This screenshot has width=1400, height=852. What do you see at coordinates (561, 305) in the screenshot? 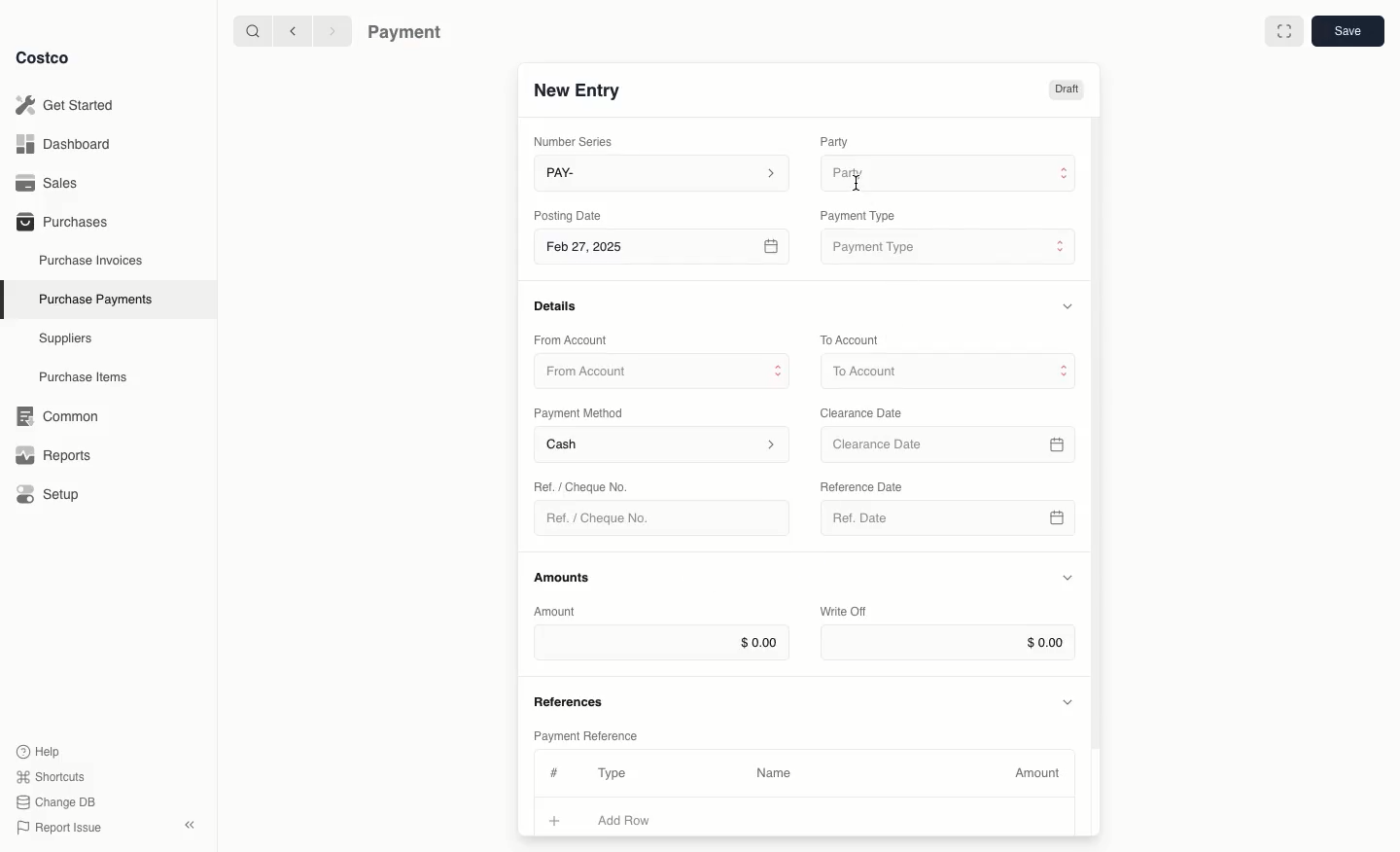
I see `Details` at bounding box center [561, 305].